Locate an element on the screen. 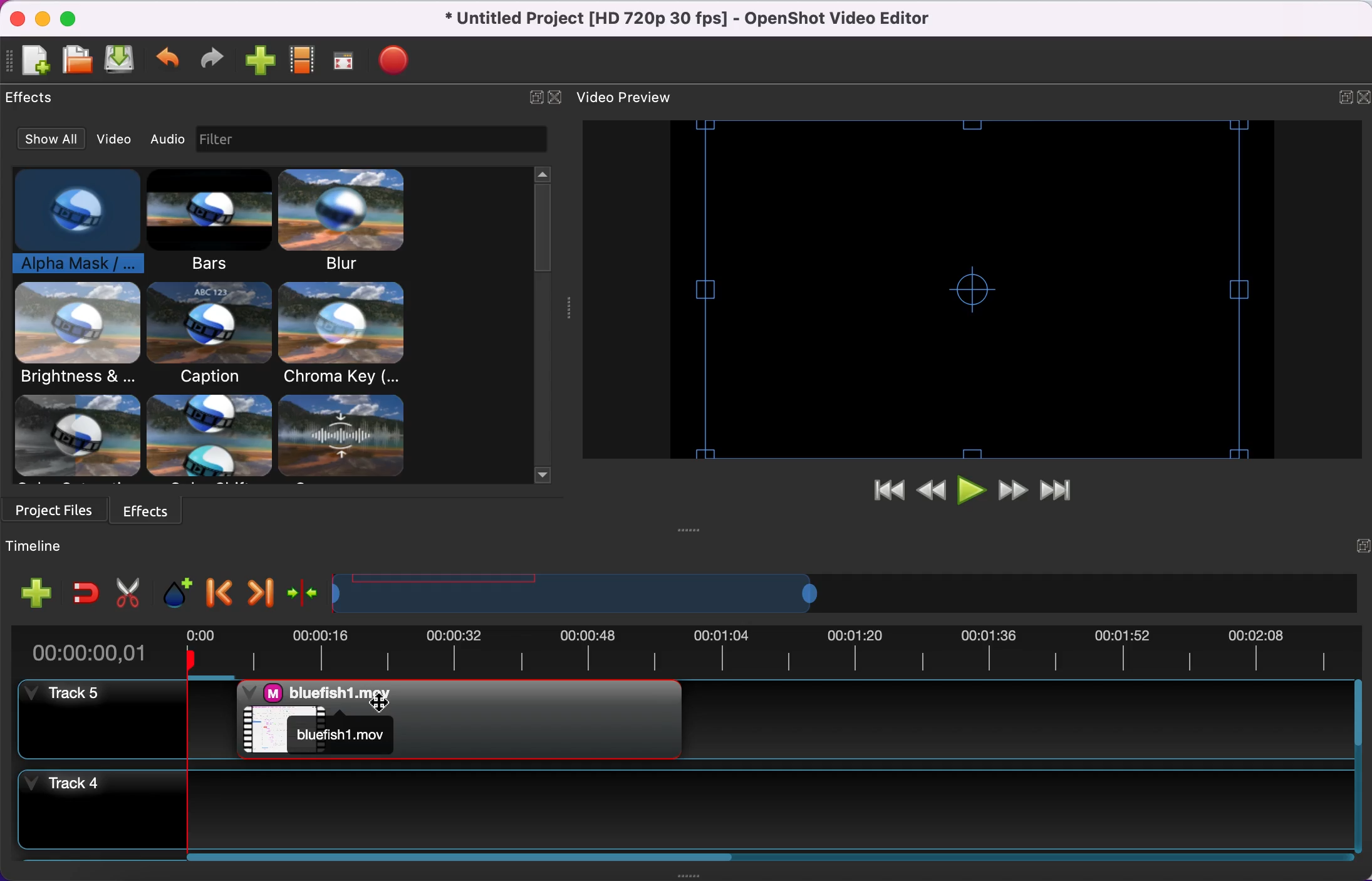 The width and height of the screenshot is (1372, 881). bars is located at coordinates (204, 222).